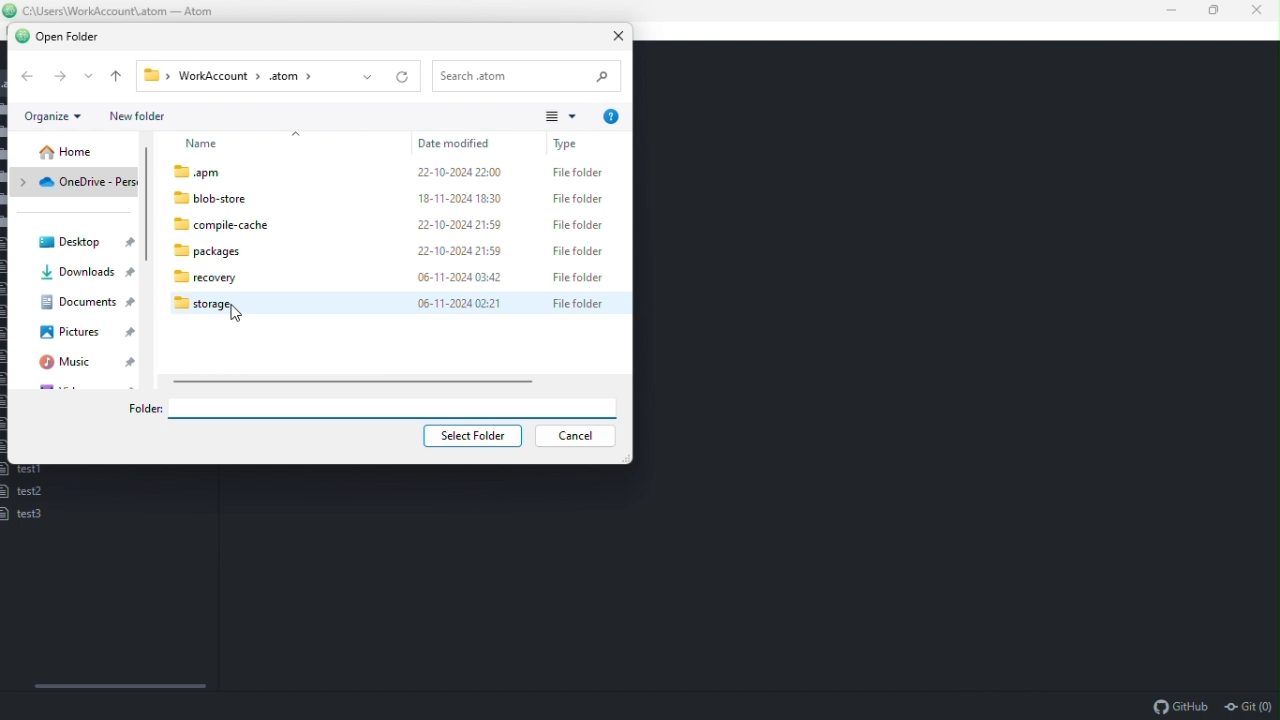  What do you see at coordinates (1180, 706) in the screenshot?
I see `github` at bounding box center [1180, 706].